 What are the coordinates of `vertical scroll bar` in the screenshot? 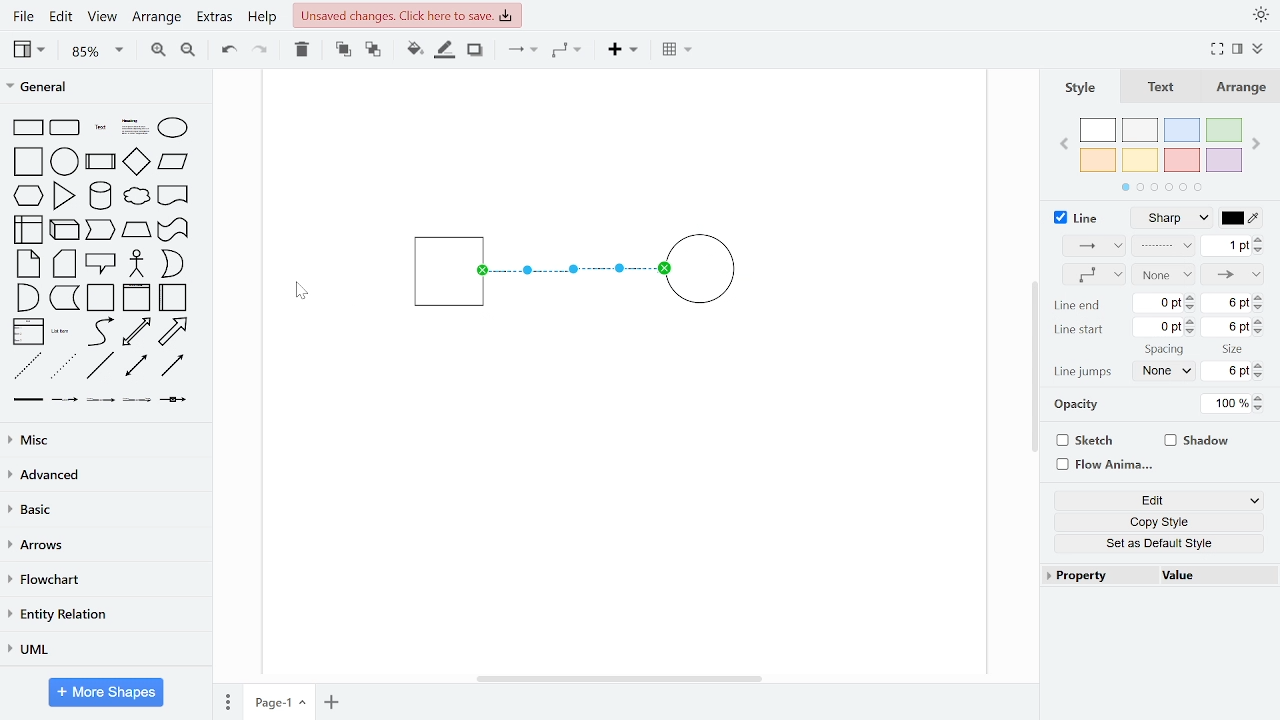 It's located at (1034, 368).